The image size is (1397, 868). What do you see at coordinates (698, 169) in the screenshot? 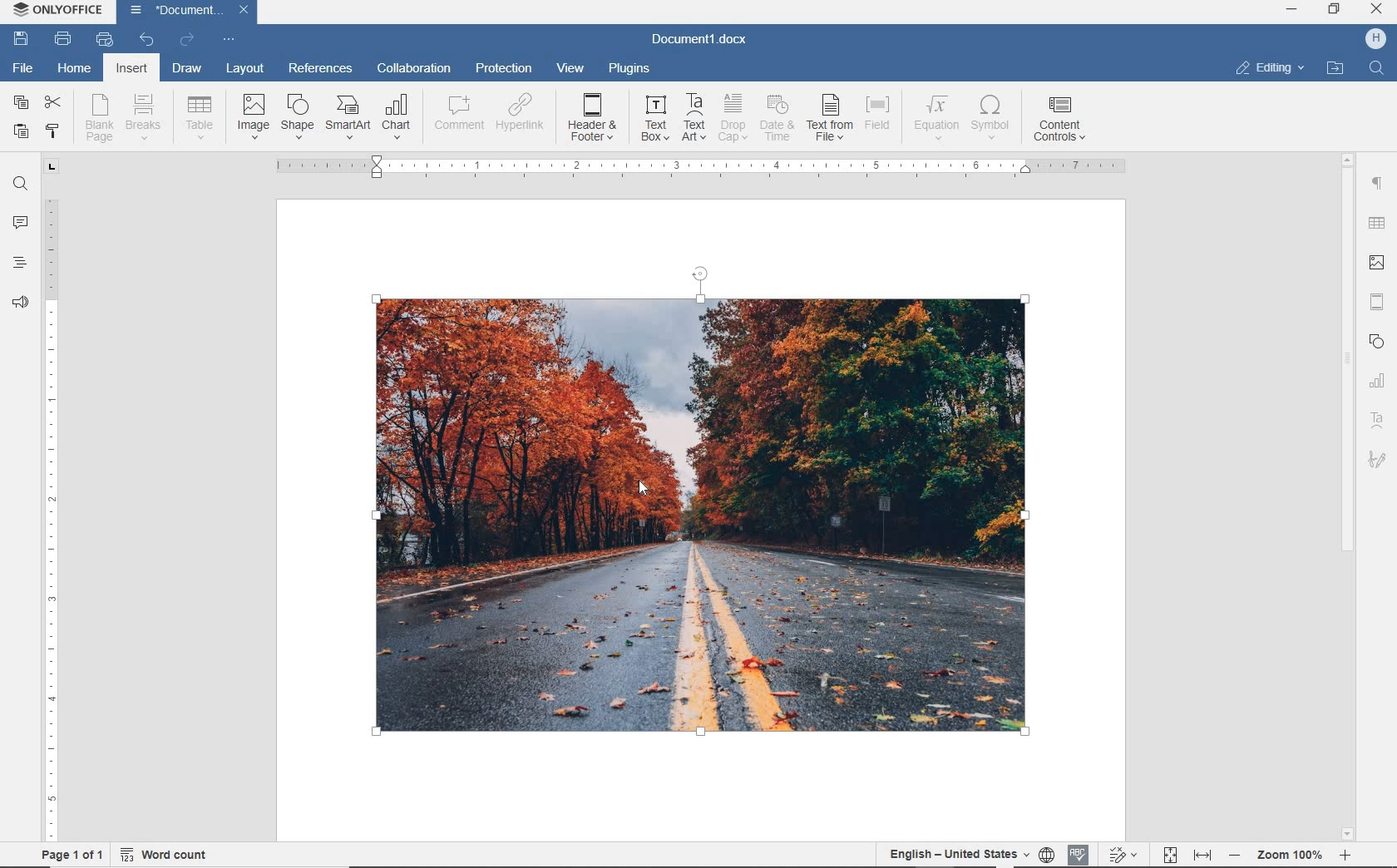
I see `ruler` at bounding box center [698, 169].